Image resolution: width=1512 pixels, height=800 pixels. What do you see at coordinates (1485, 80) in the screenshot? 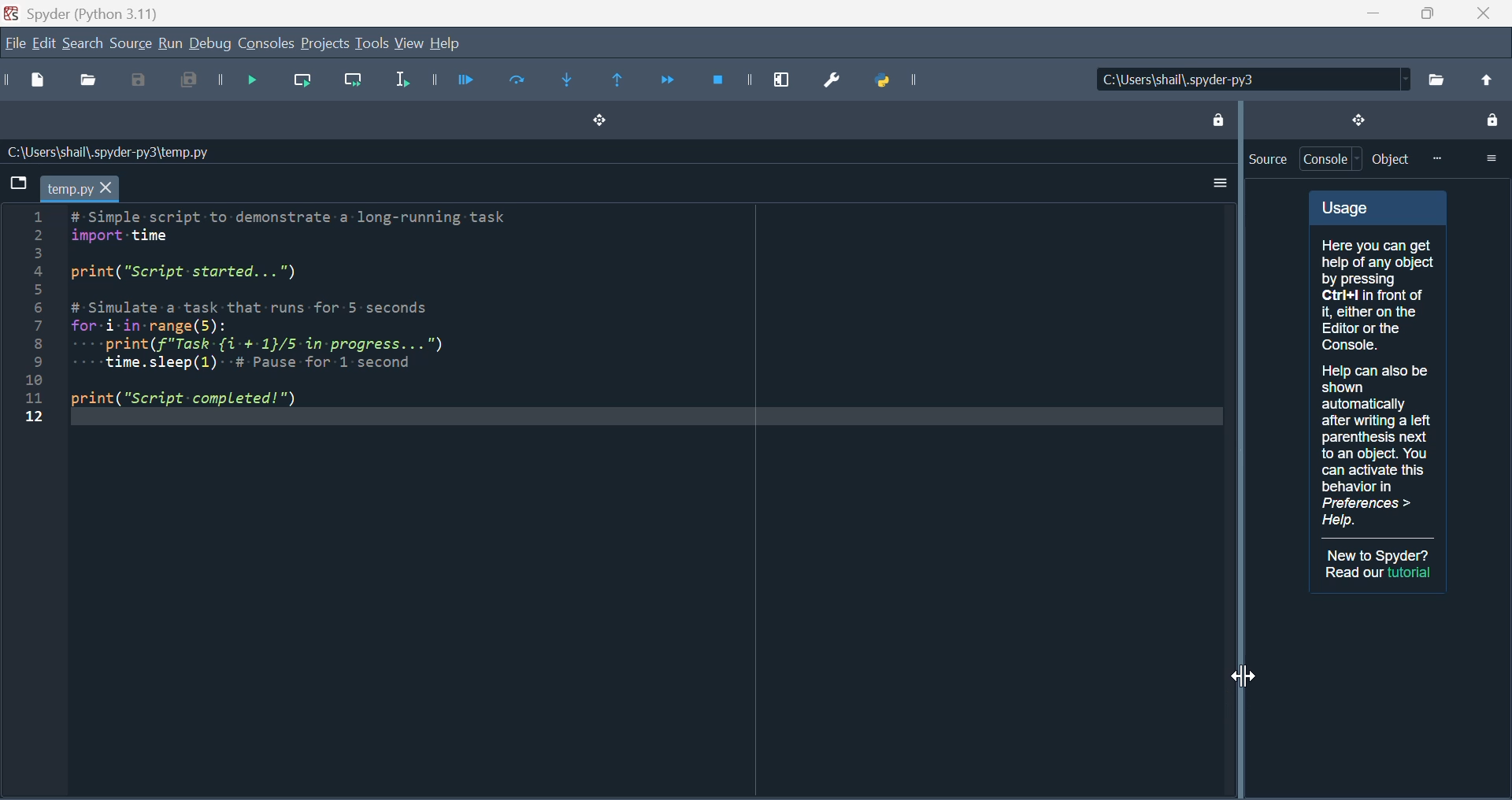
I see `change to parent directory` at bounding box center [1485, 80].